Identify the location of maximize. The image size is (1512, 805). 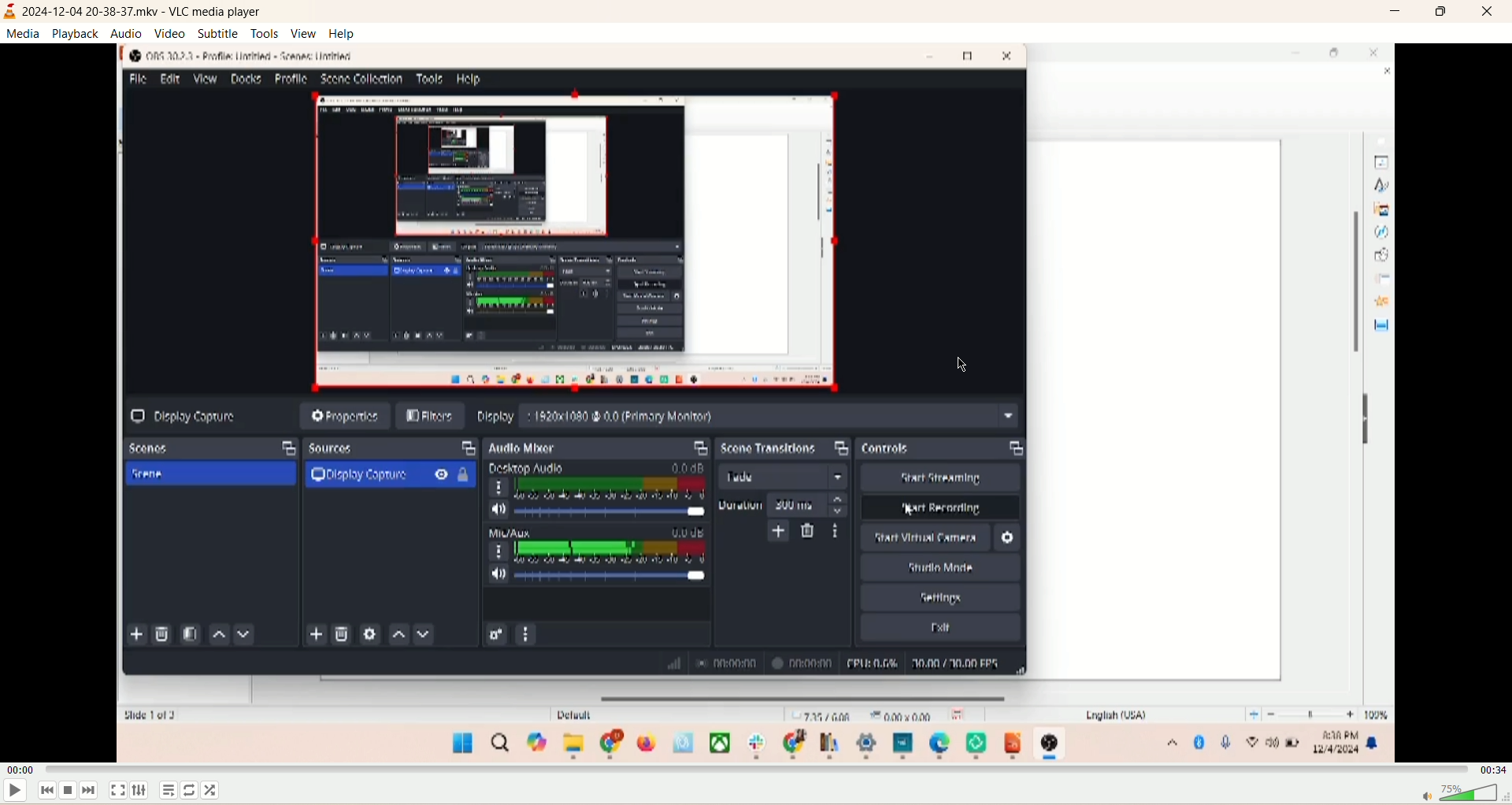
(1439, 13).